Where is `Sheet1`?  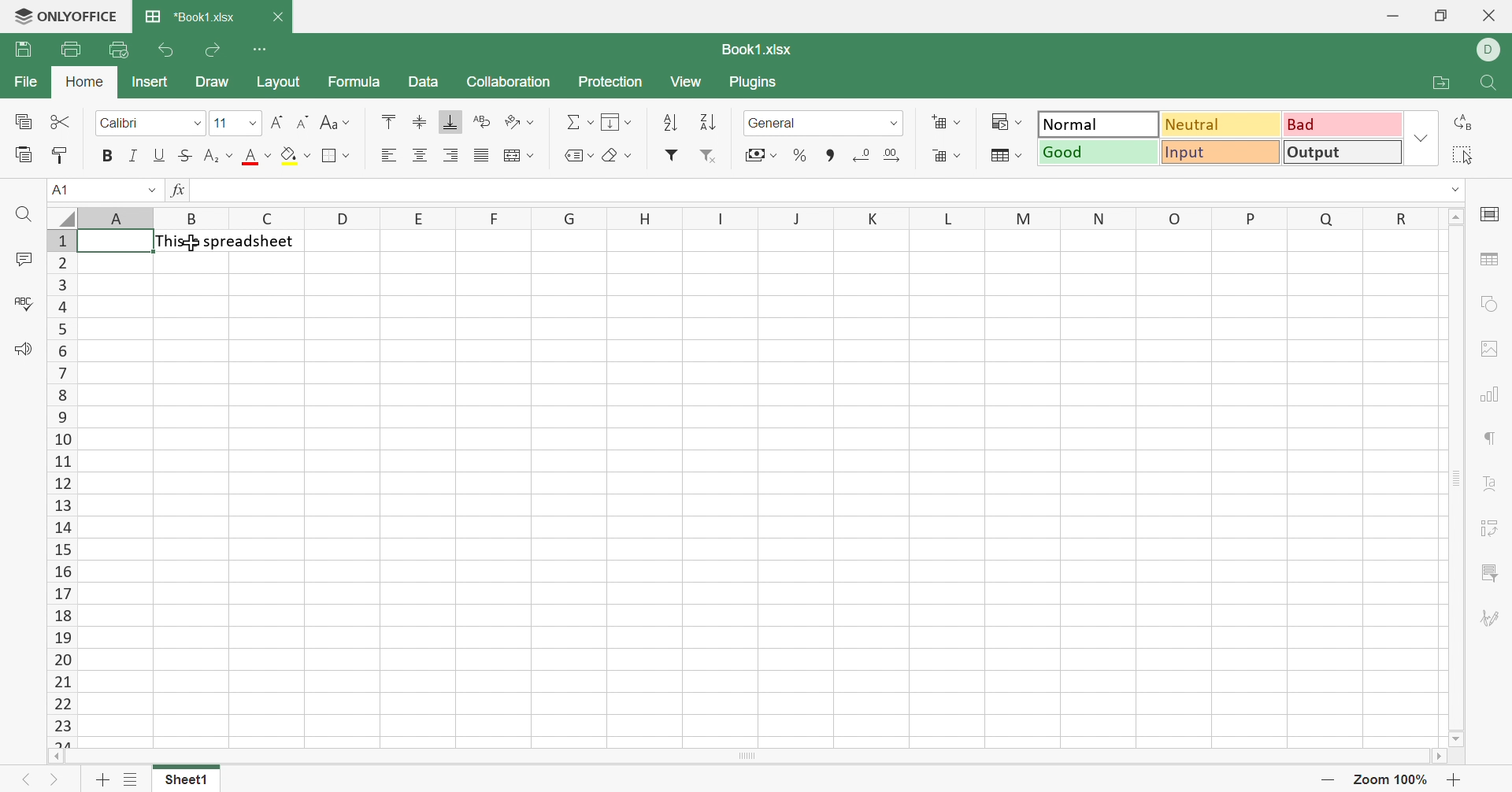
Sheet1 is located at coordinates (185, 779).